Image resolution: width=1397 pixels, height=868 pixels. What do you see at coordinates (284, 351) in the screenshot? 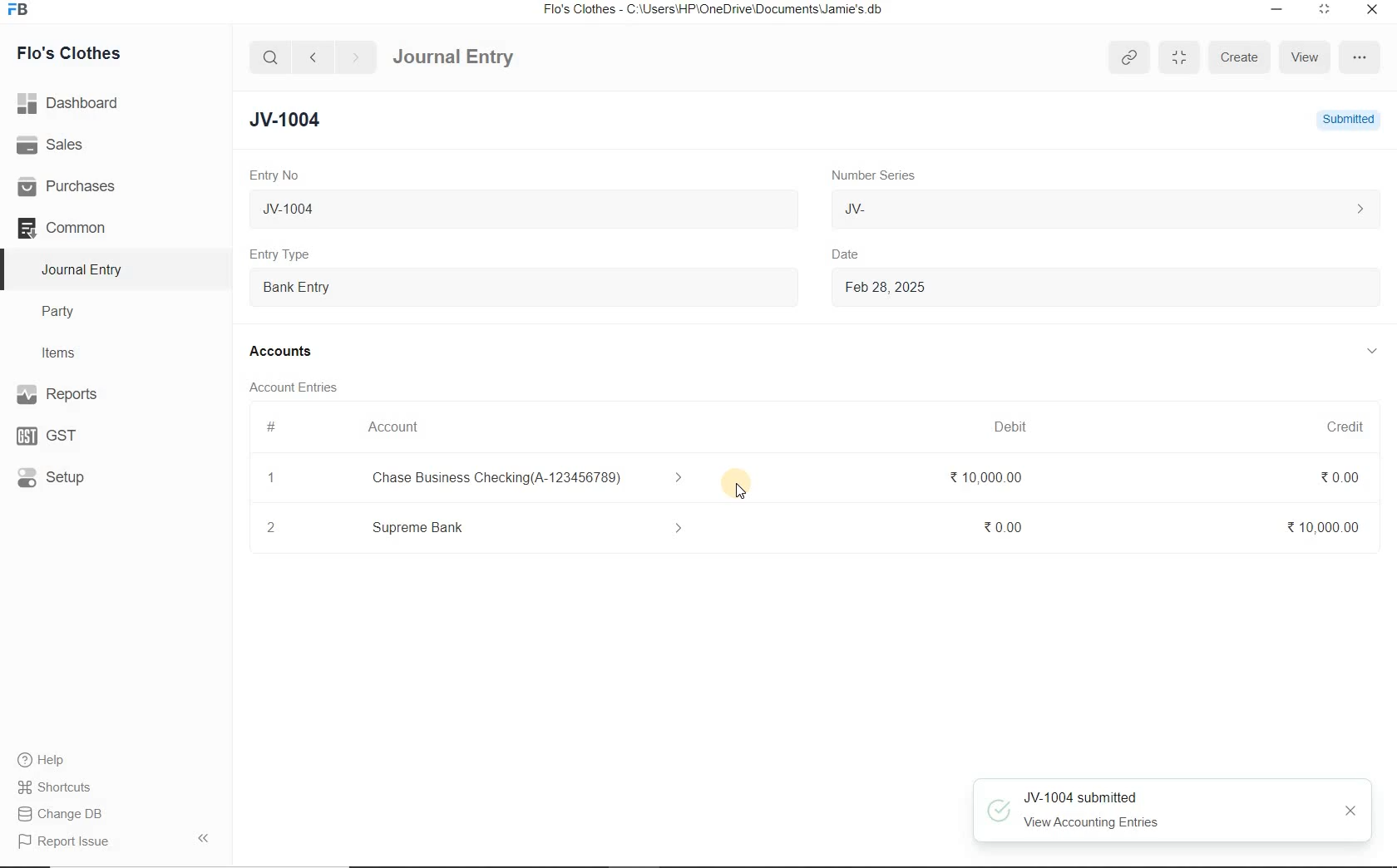
I see `Accounts` at bounding box center [284, 351].